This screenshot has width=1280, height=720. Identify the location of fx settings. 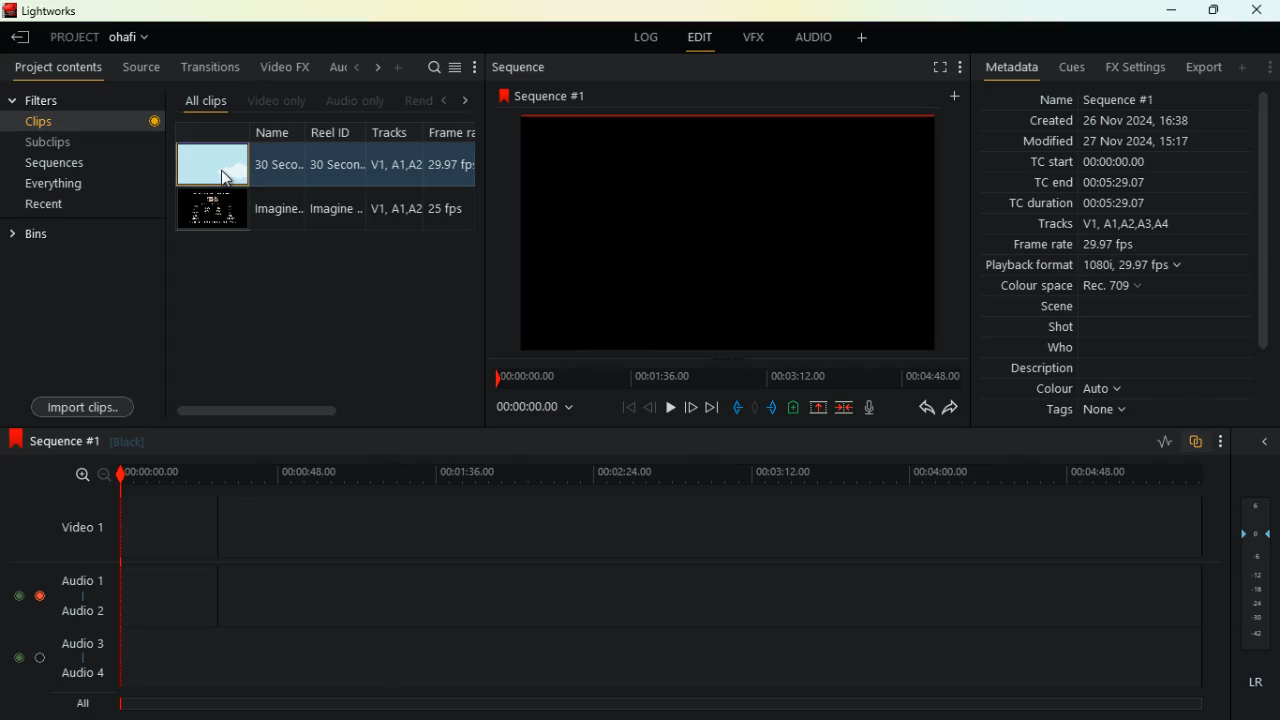
(1134, 68).